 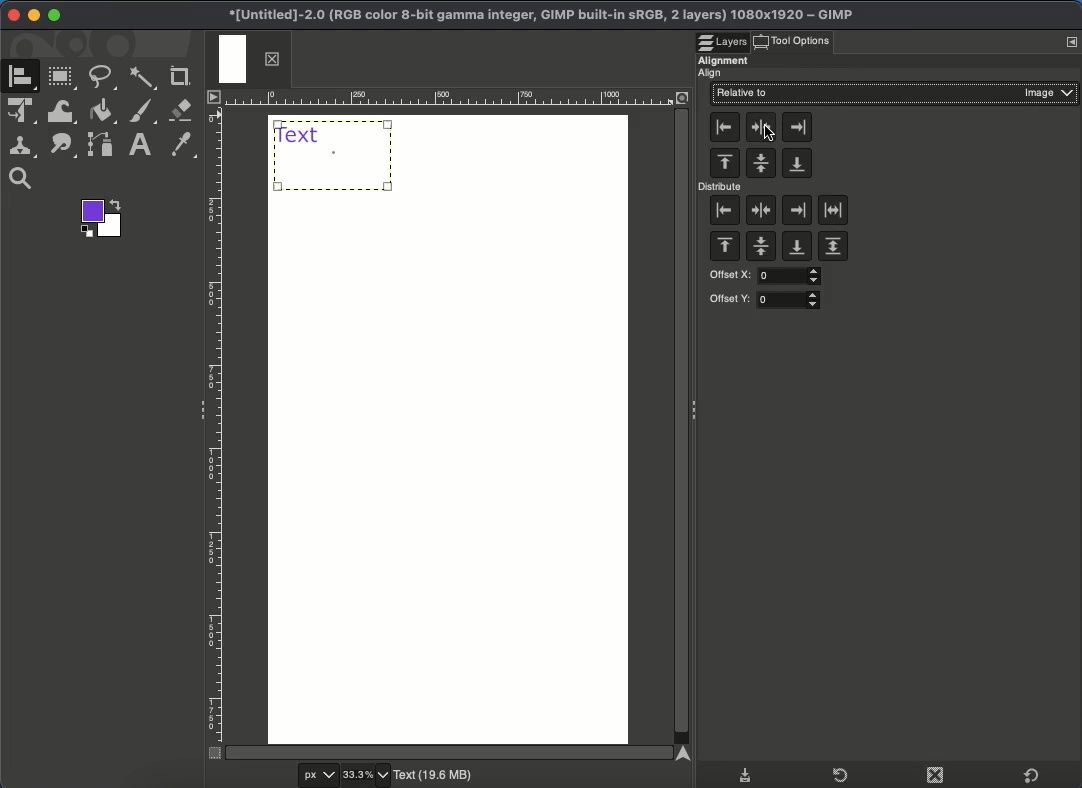 What do you see at coordinates (723, 212) in the screenshot?
I see `Distribute left edges` at bounding box center [723, 212].